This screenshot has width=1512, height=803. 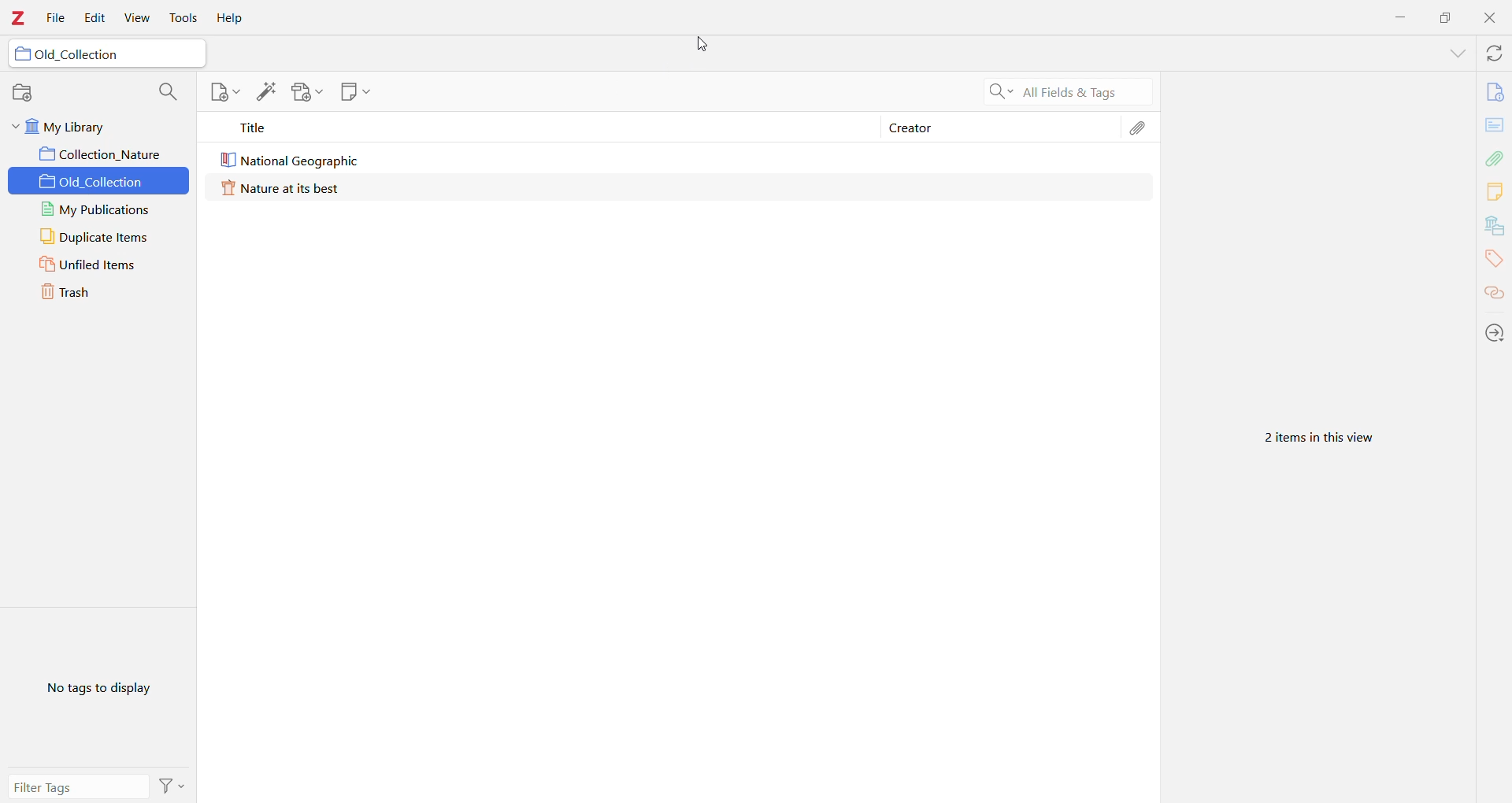 I want to click on National Geographic, so click(x=290, y=160).